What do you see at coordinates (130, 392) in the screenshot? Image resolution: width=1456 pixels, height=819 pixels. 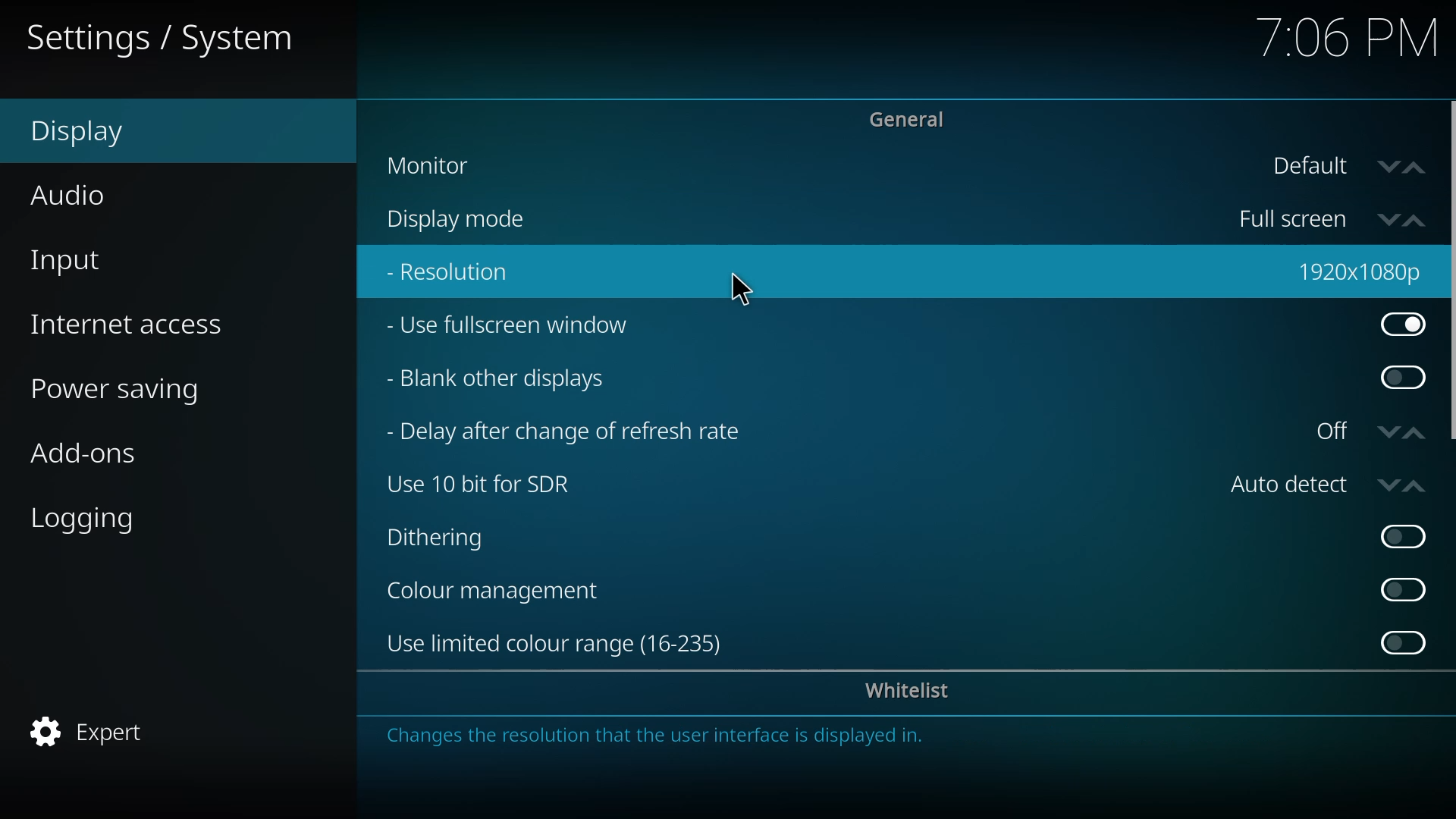 I see `power saving` at bounding box center [130, 392].